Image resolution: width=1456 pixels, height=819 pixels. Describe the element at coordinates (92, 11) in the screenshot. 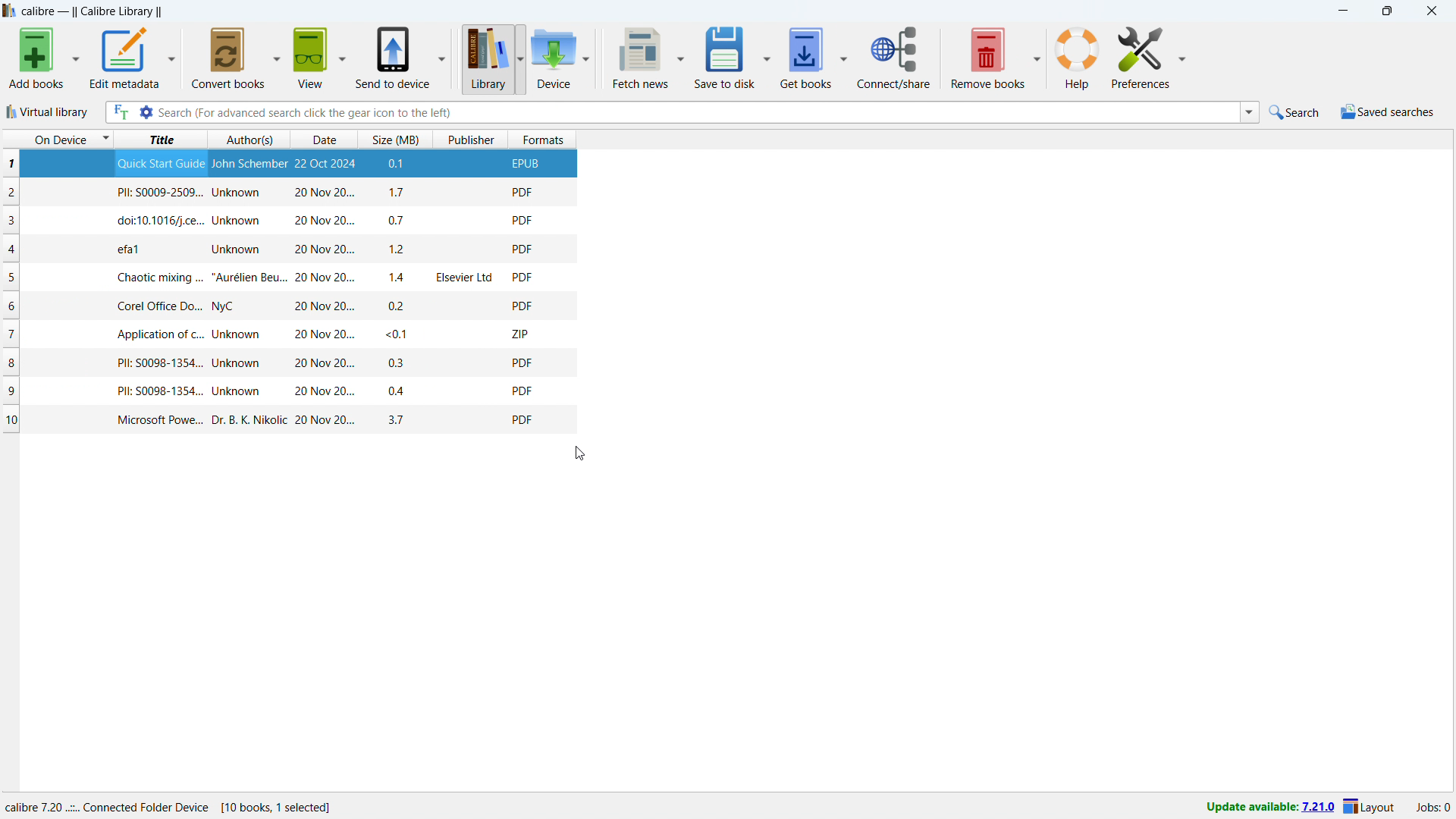

I see `title` at that location.